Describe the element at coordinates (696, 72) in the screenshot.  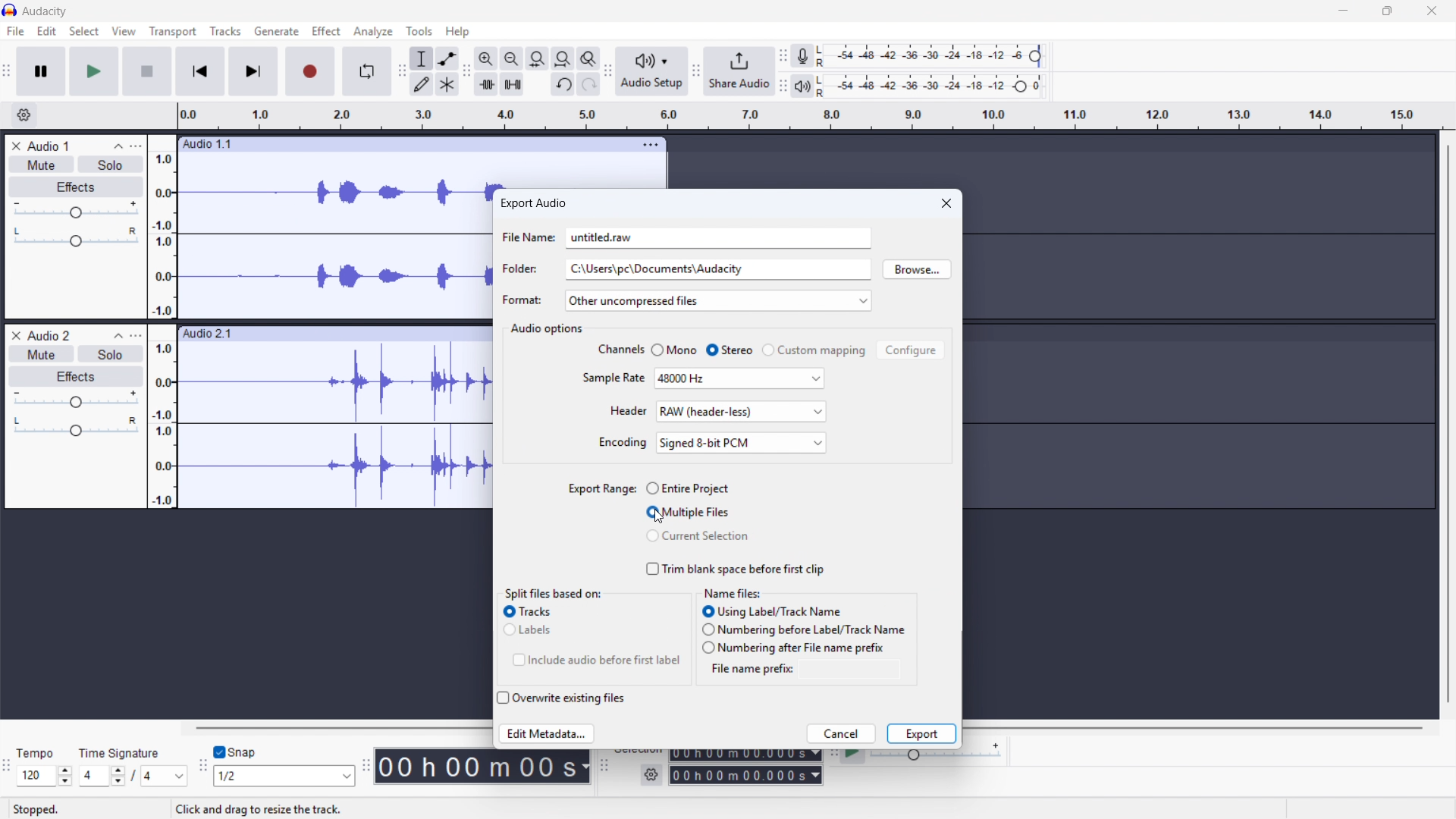
I see `Share audio toolbar` at that location.